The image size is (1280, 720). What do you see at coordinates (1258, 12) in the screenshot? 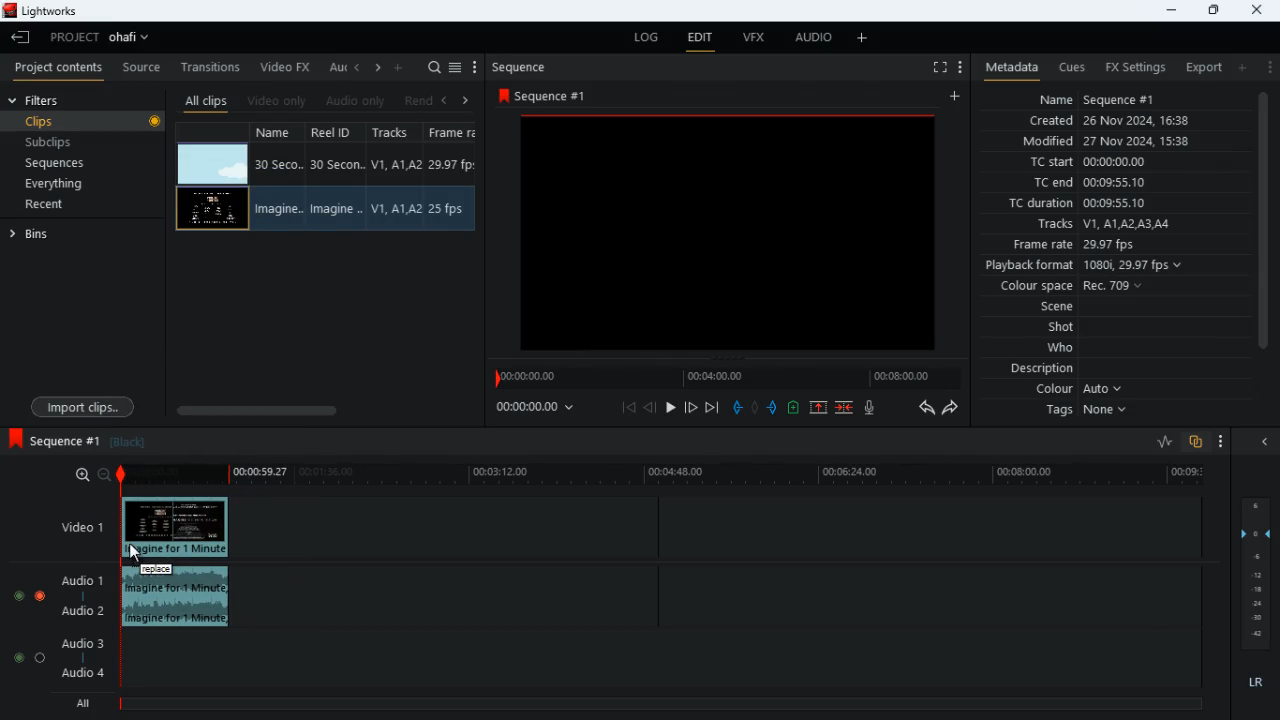
I see `close window` at bounding box center [1258, 12].